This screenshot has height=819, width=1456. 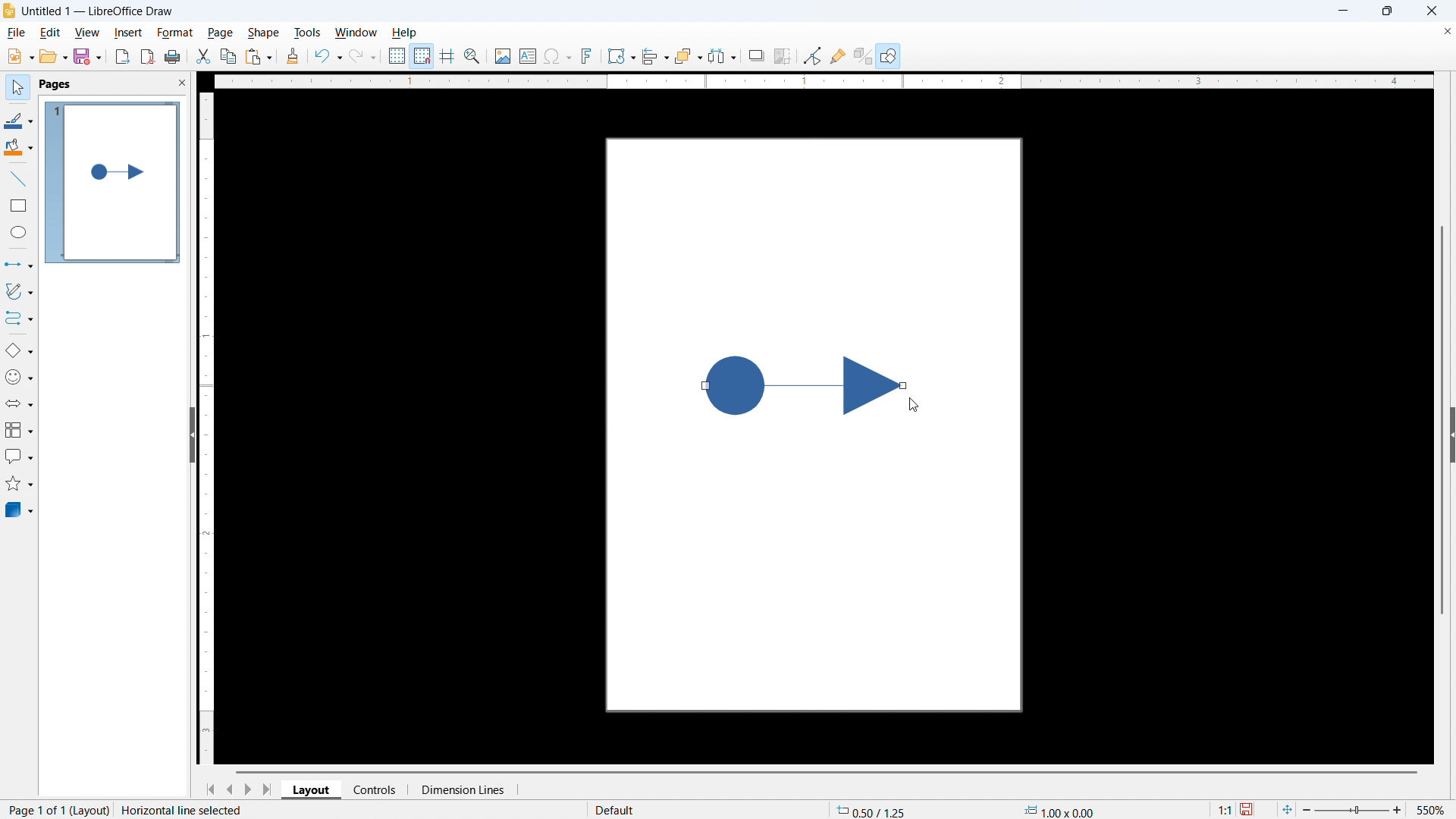 I want to click on Guideline while moving , so click(x=447, y=55).